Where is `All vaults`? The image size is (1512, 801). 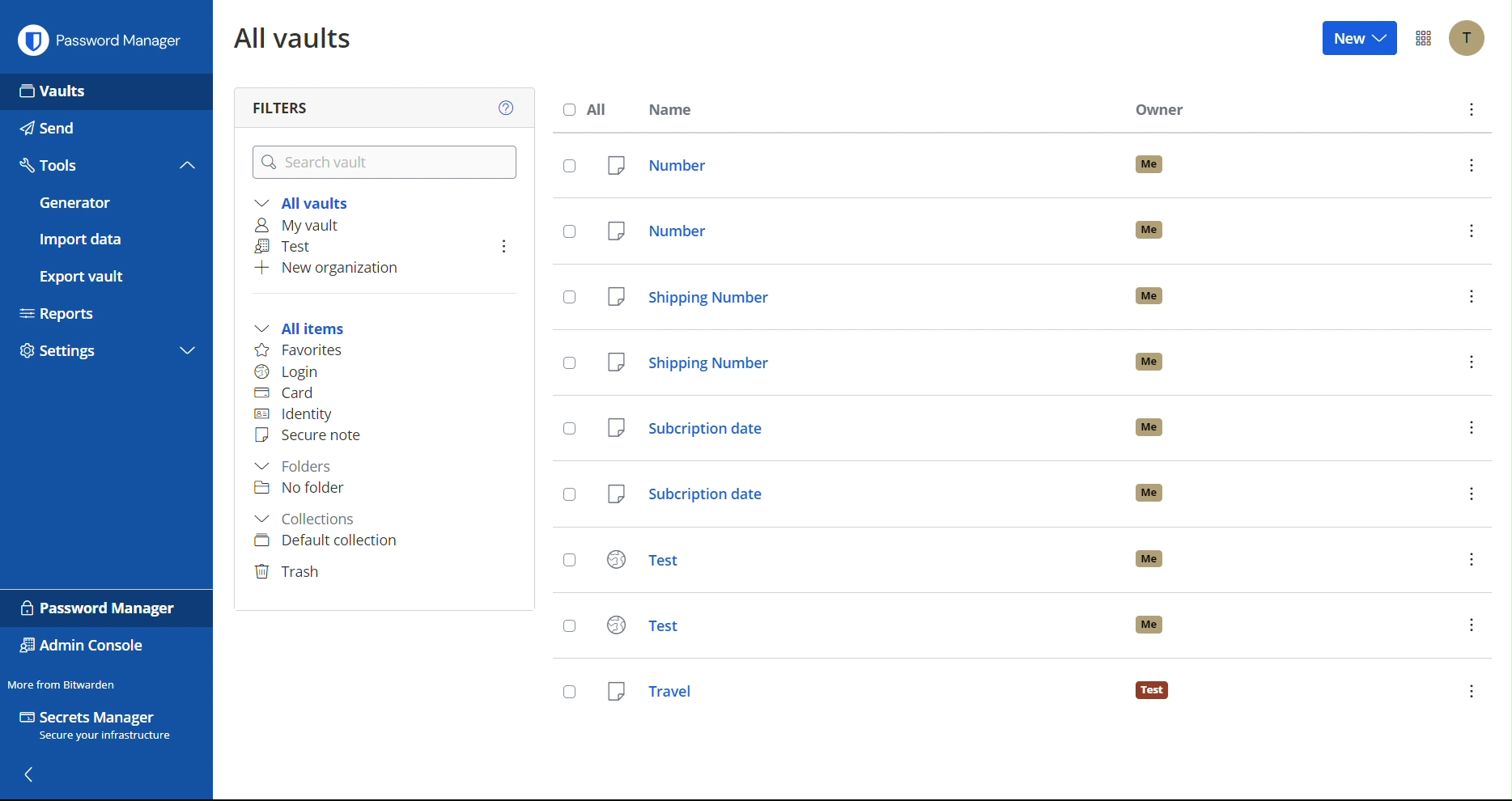
All vaults is located at coordinates (297, 38).